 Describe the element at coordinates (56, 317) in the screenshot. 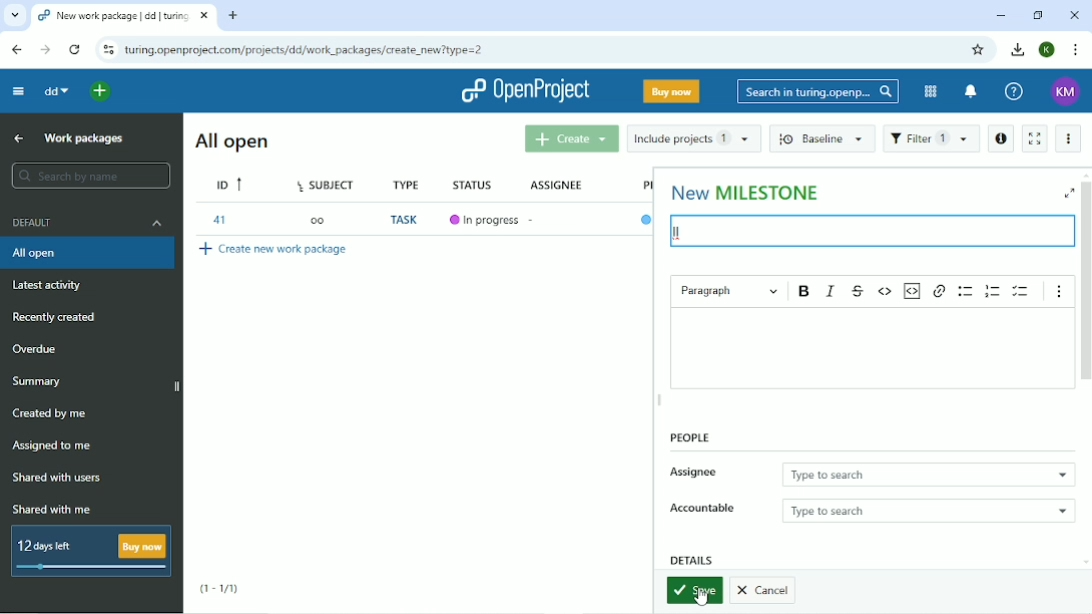

I see `Recently created` at that location.